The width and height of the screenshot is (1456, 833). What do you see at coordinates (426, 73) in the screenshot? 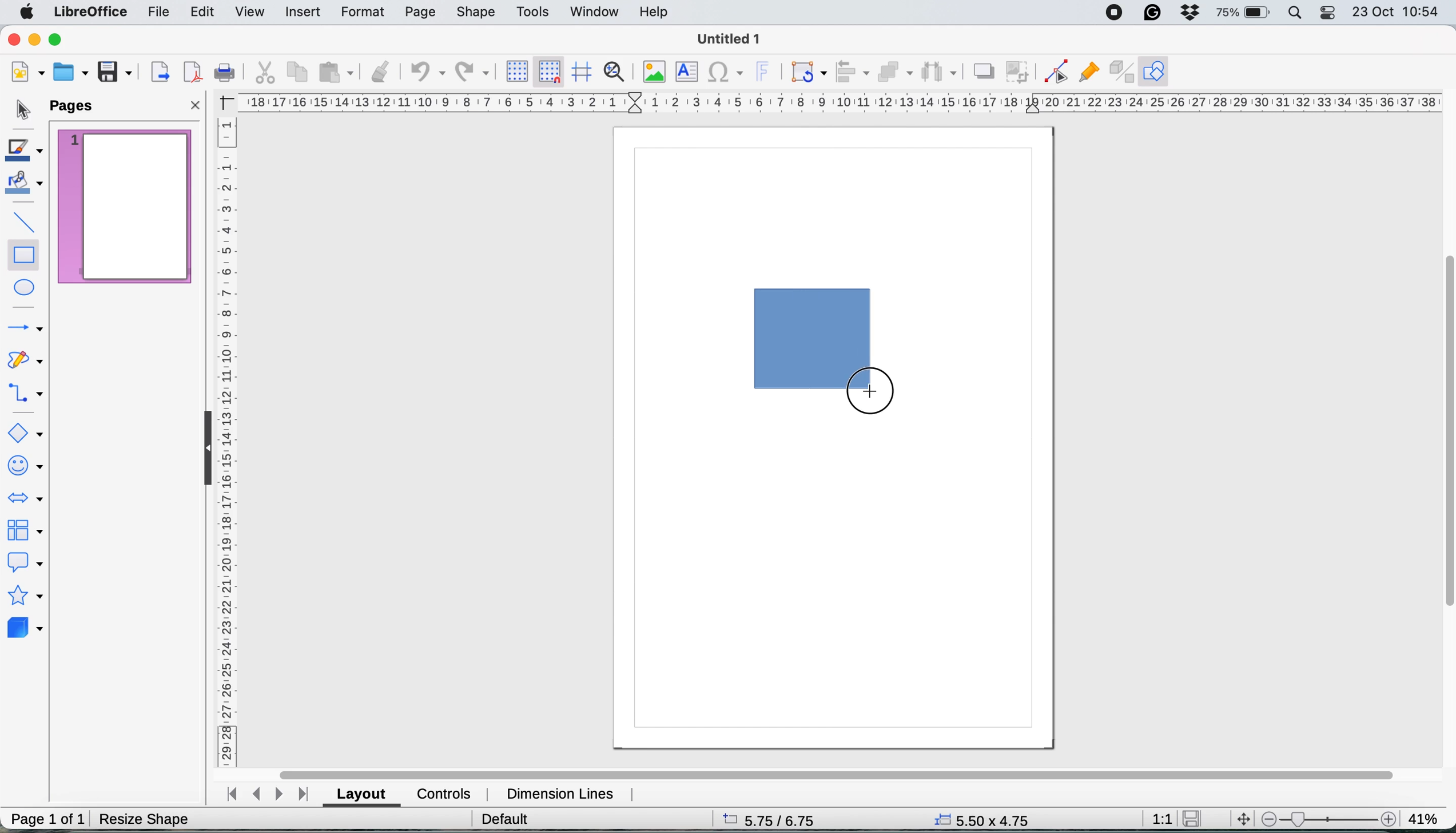
I see `undo` at bounding box center [426, 73].